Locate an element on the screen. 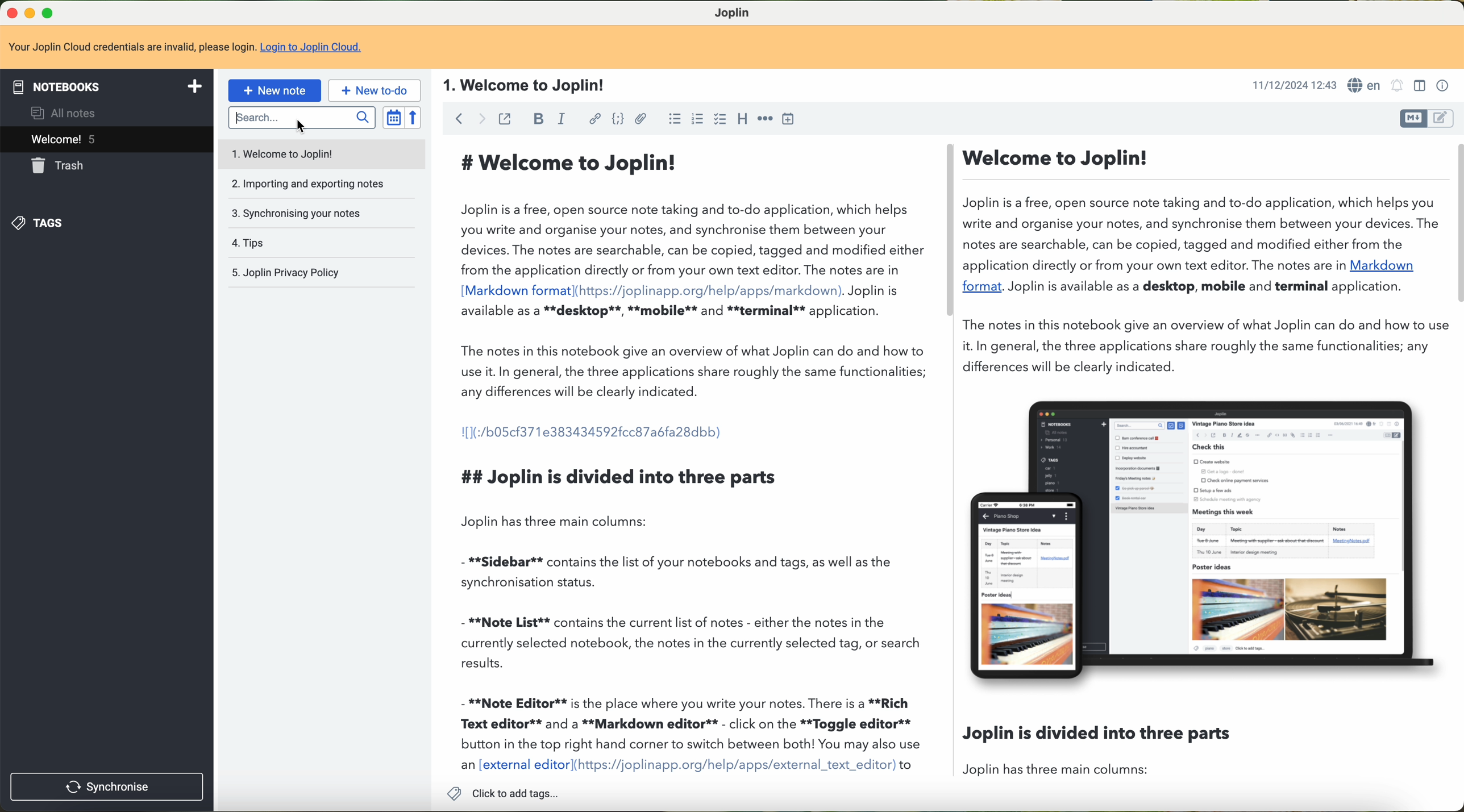 The height and width of the screenshot is (812, 1464). attach file is located at coordinates (641, 120).